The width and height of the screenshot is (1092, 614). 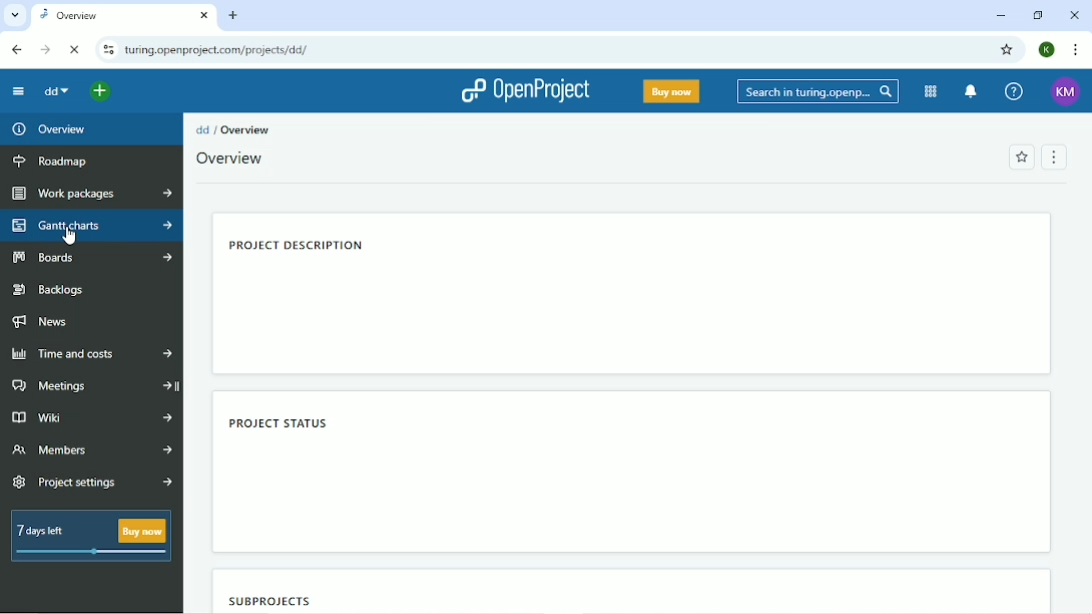 What do you see at coordinates (91, 193) in the screenshot?
I see `Work packages` at bounding box center [91, 193].